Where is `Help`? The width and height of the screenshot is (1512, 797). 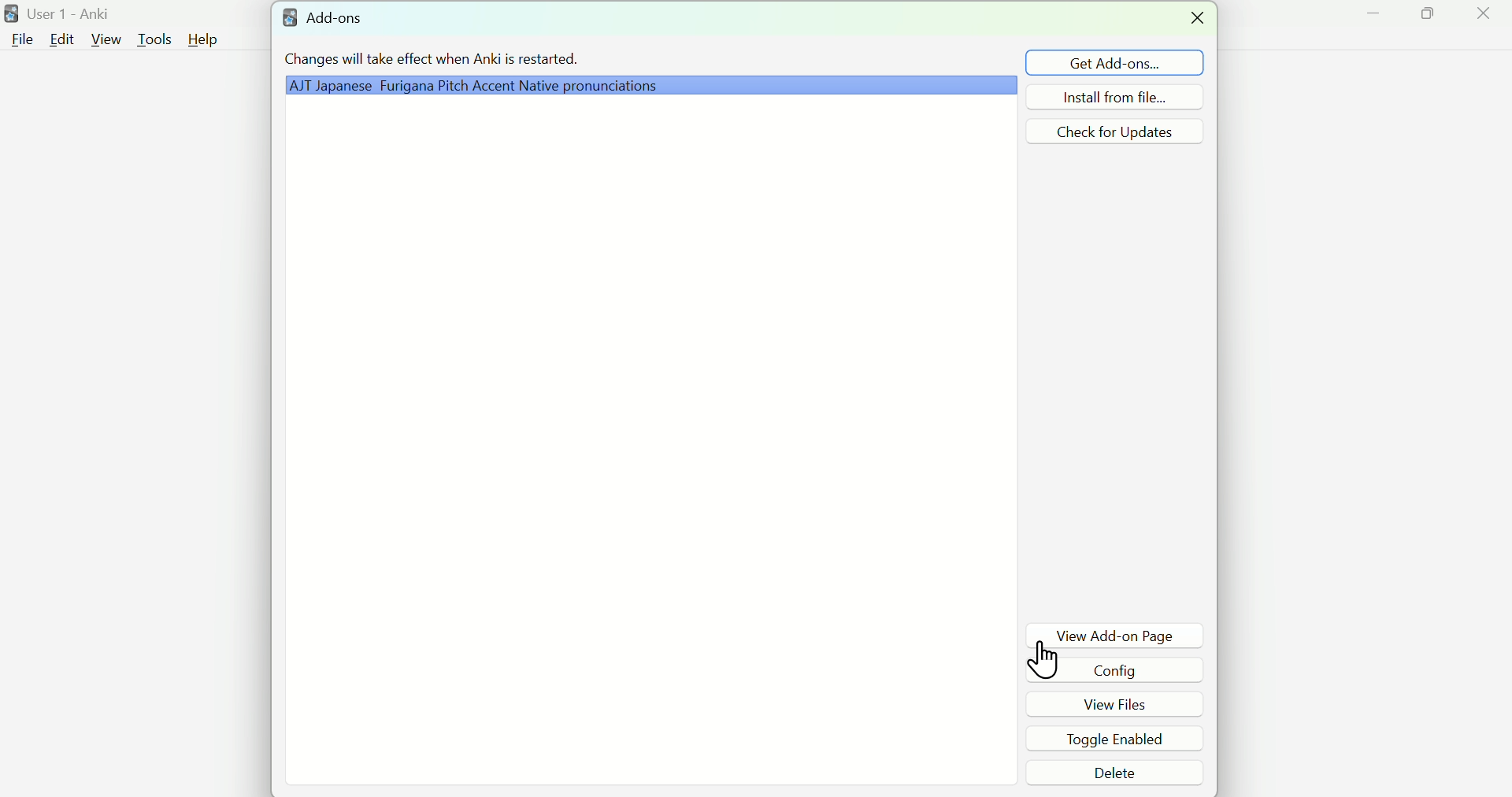
Help is located at coordinates (207, 40).